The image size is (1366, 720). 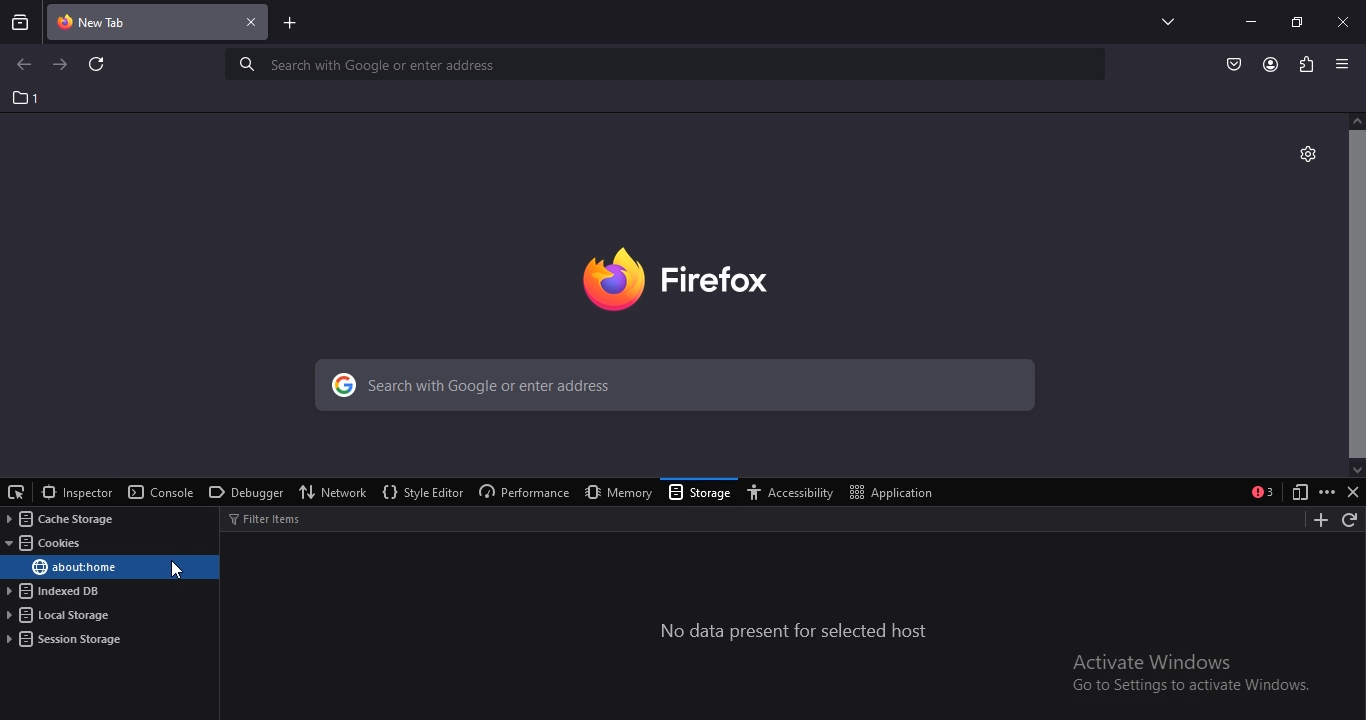 I want to click on close, so click(x=1345, y=21).